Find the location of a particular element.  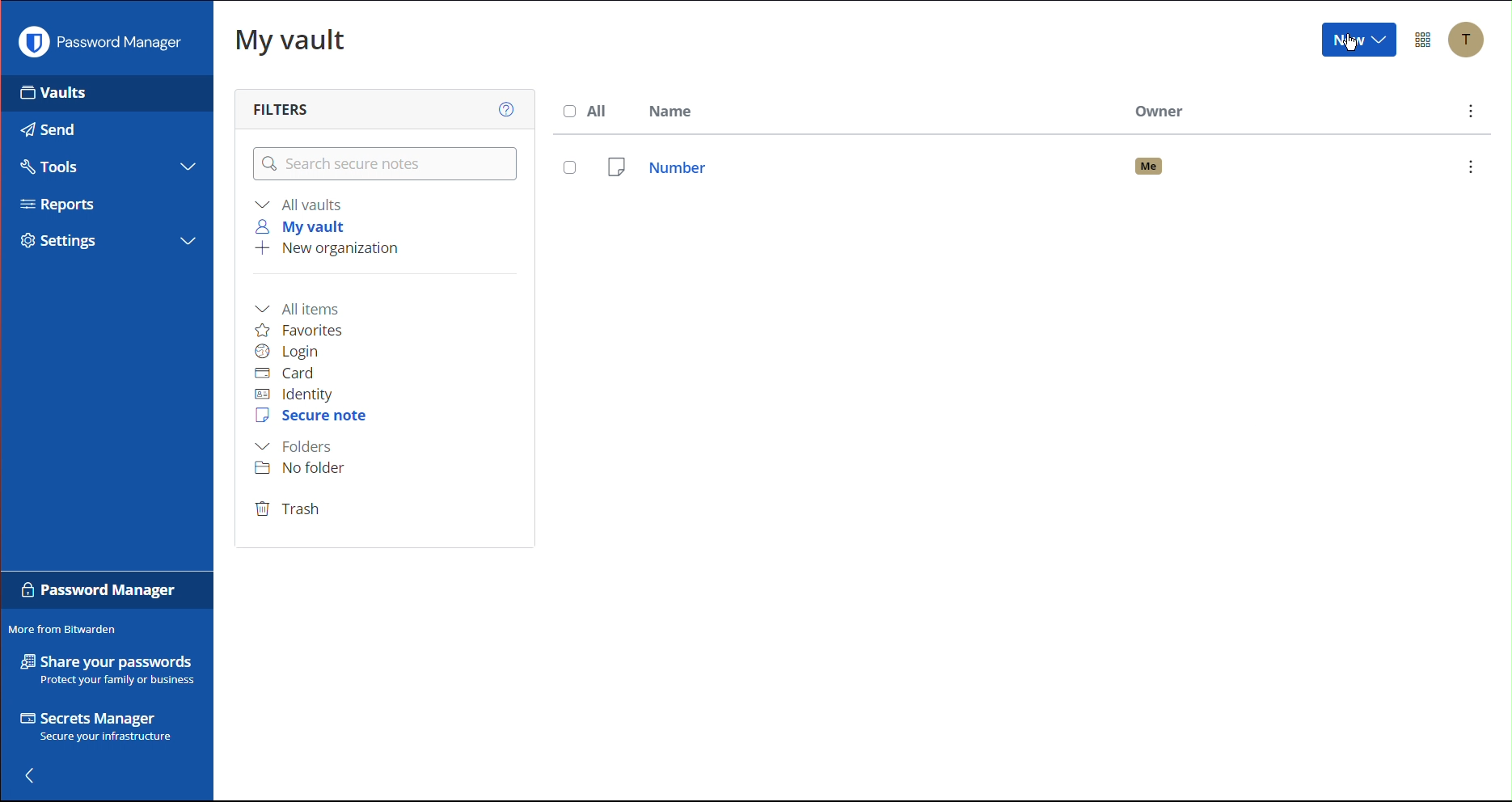

Name is located at coordinates (674, 110).